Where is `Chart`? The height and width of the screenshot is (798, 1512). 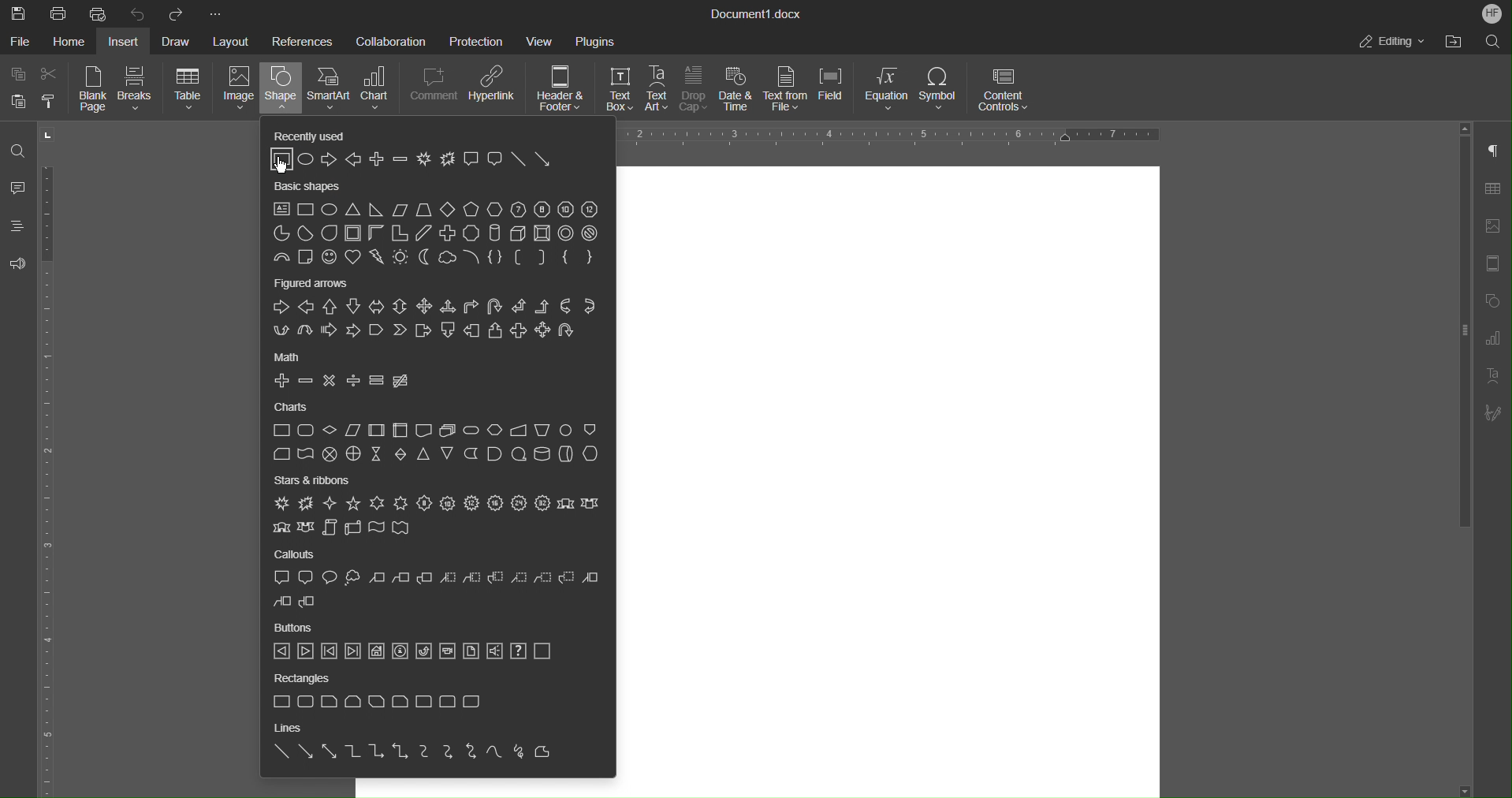
Chart is located at coordinates (382, 91).